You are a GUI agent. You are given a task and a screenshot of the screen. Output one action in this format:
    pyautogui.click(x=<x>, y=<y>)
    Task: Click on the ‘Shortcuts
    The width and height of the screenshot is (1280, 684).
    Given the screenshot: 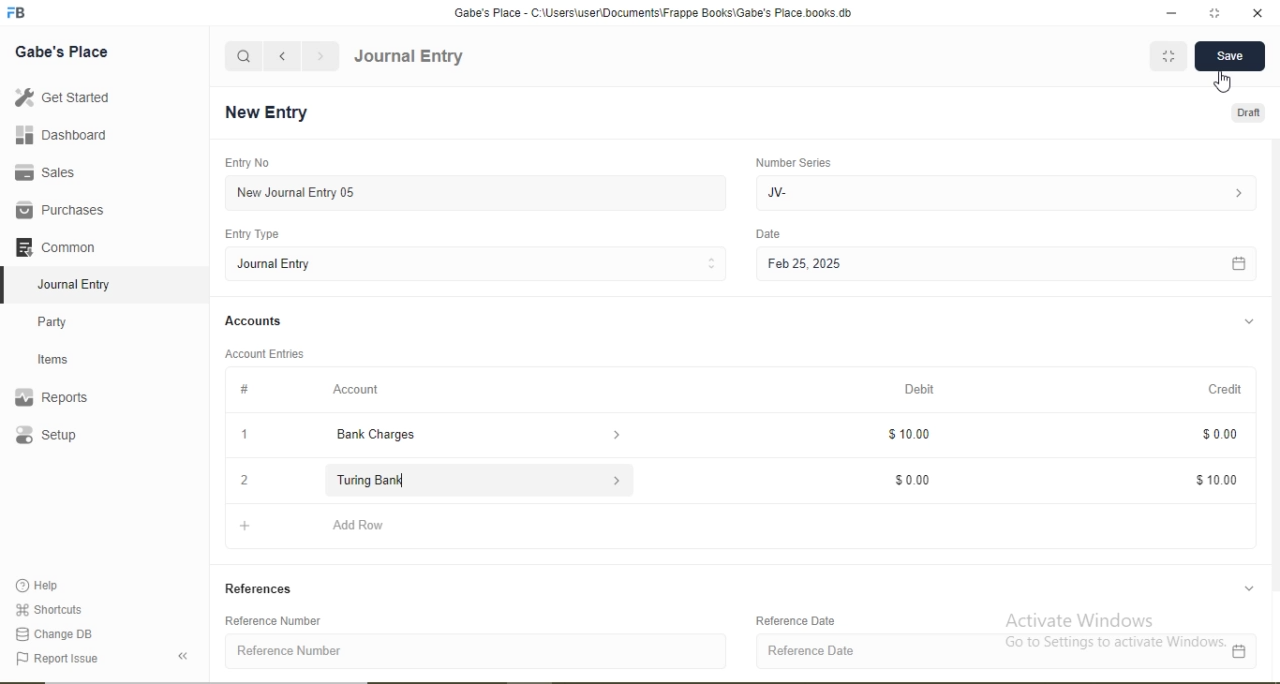 What is the action you would take?
    pyautogui.click(x=51, y=608)
    